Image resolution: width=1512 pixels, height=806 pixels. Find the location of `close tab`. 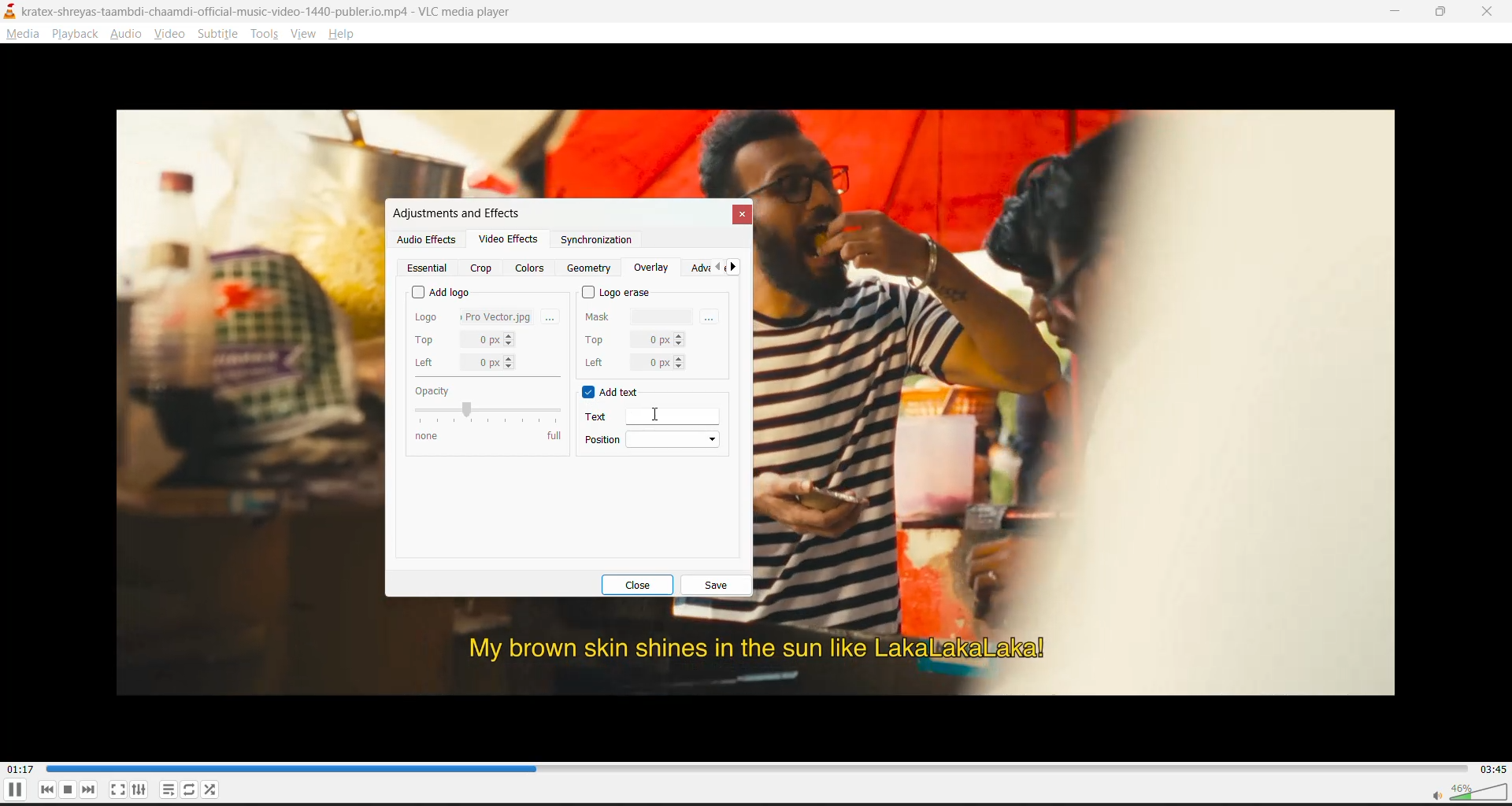

close tab is located at coordinates (740, 215).